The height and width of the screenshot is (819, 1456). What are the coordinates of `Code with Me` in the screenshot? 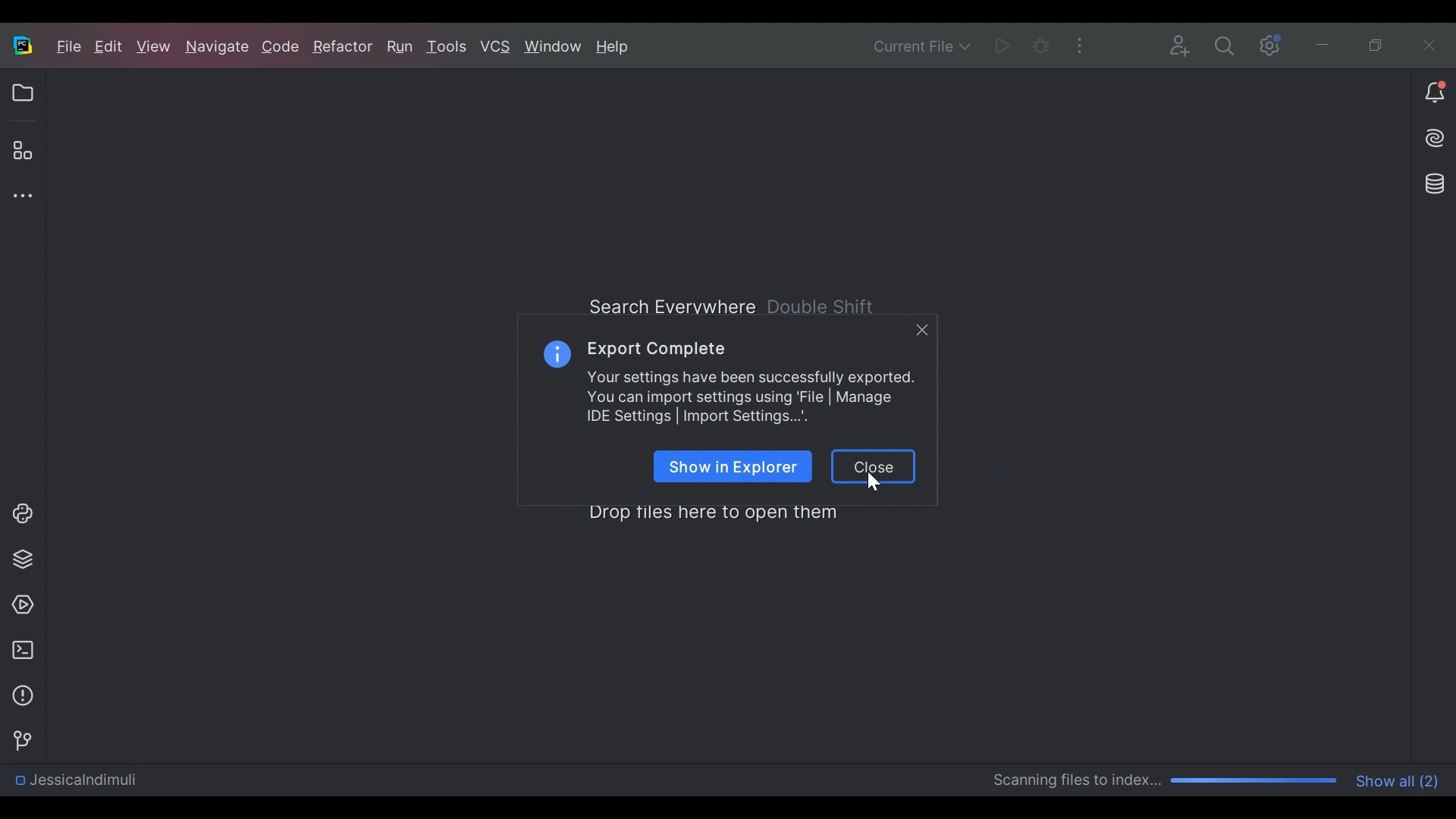 It's located at (1181, 44).